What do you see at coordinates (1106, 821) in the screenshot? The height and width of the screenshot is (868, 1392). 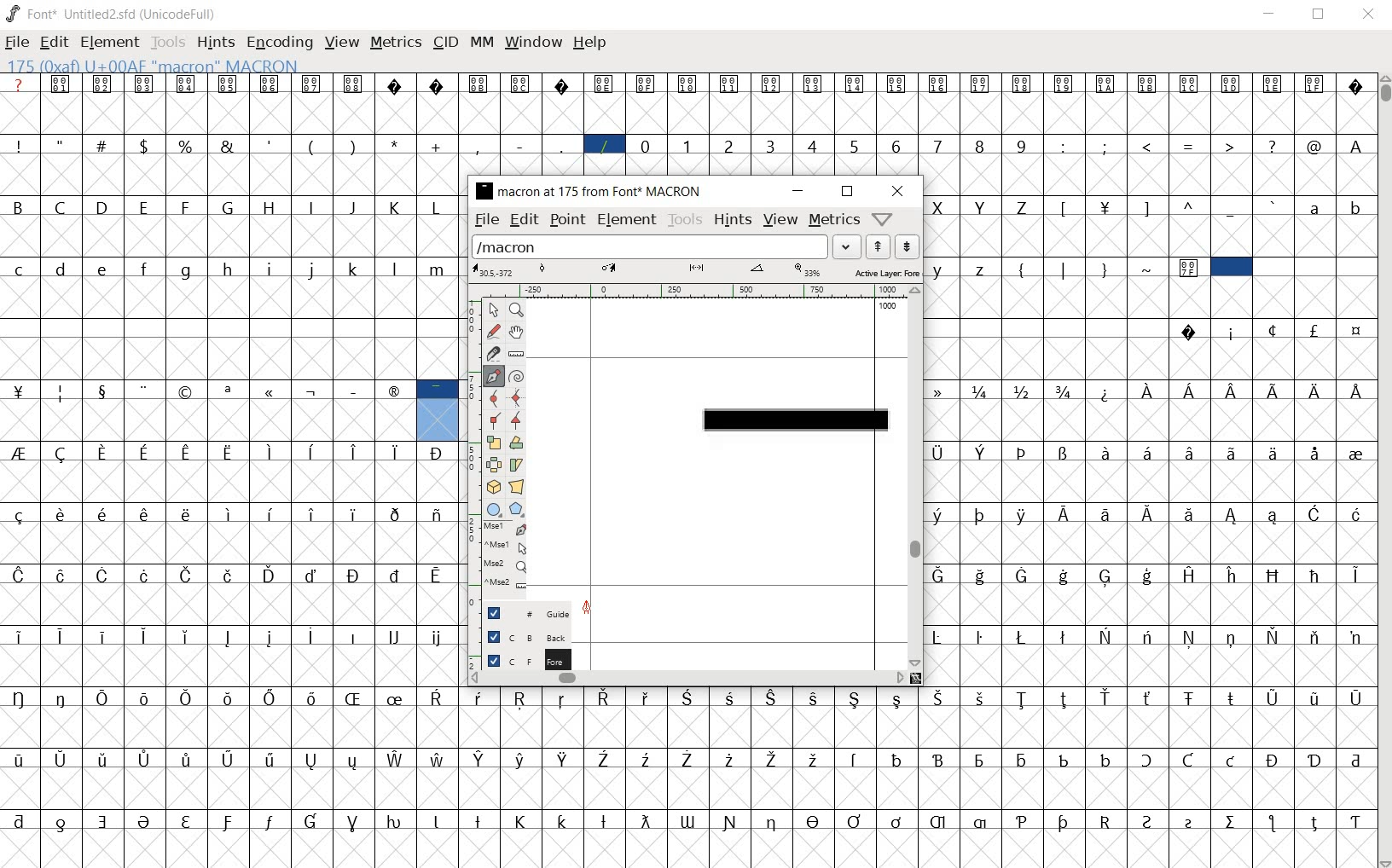 I see `Symbol` at bounding box center [1106, 821].